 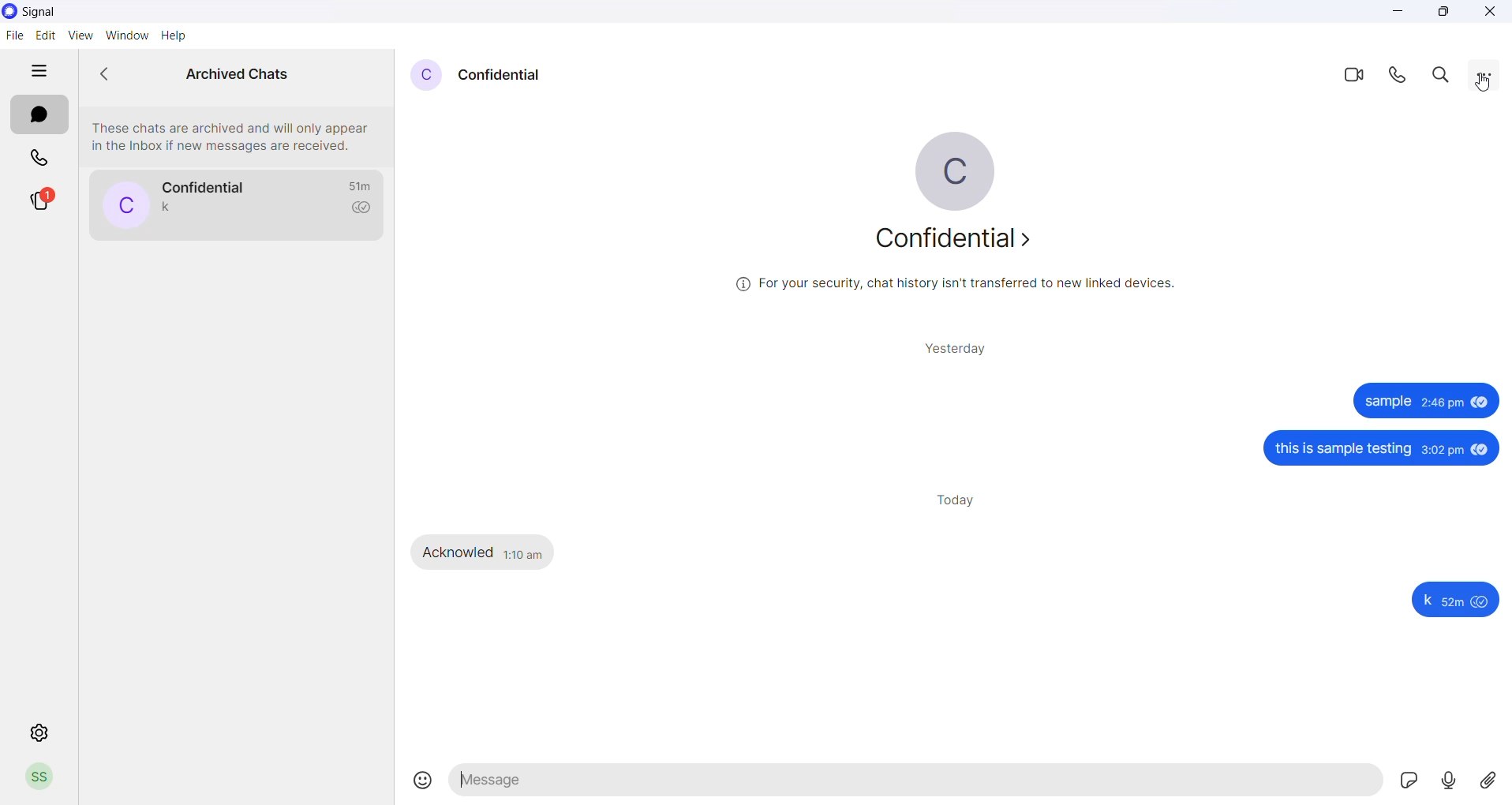 I want to click on last message timeframe , so click(x=361, y=185).